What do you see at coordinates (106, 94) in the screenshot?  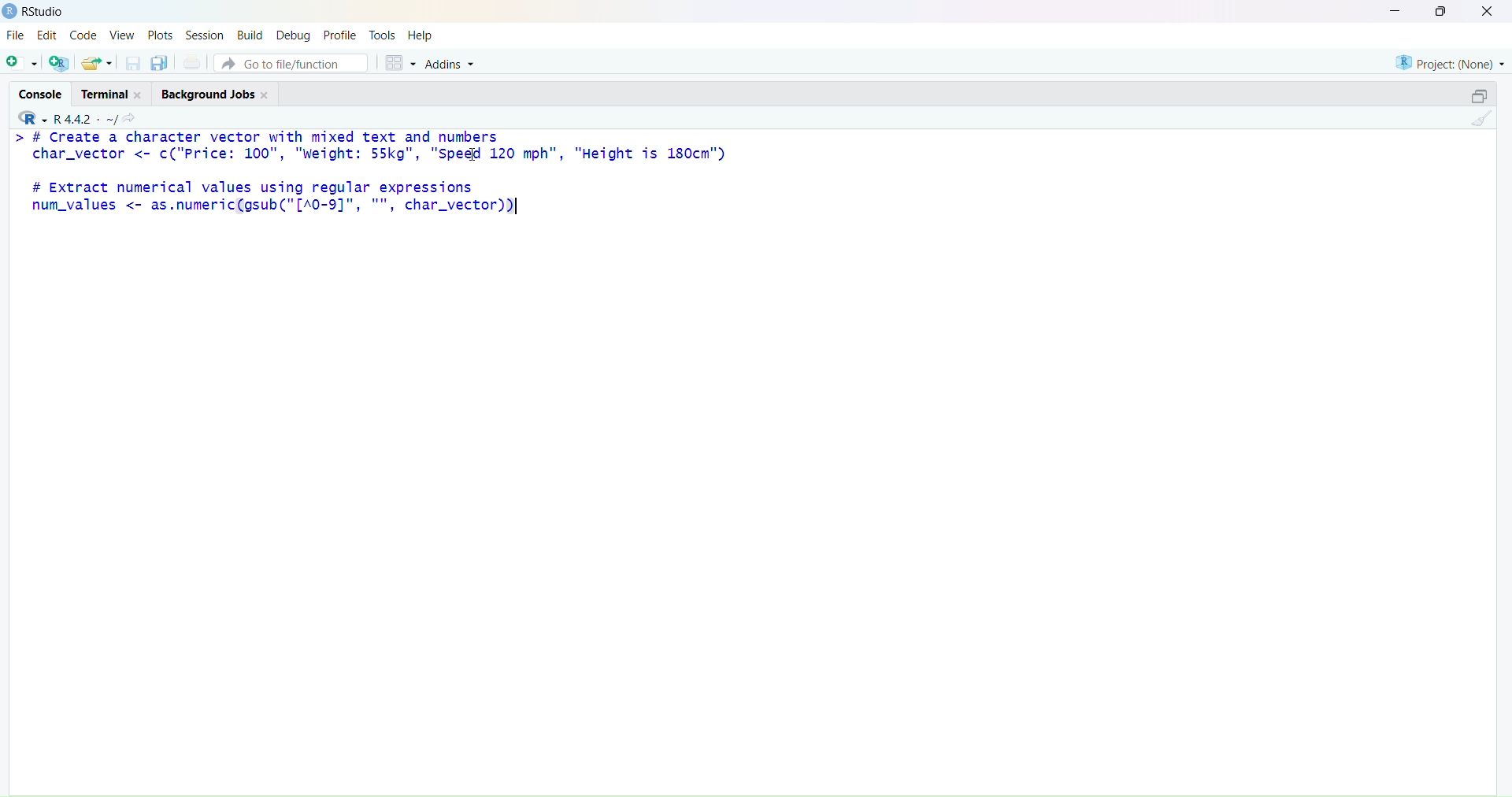 I see `terminal` at bounding box center [106, 94].